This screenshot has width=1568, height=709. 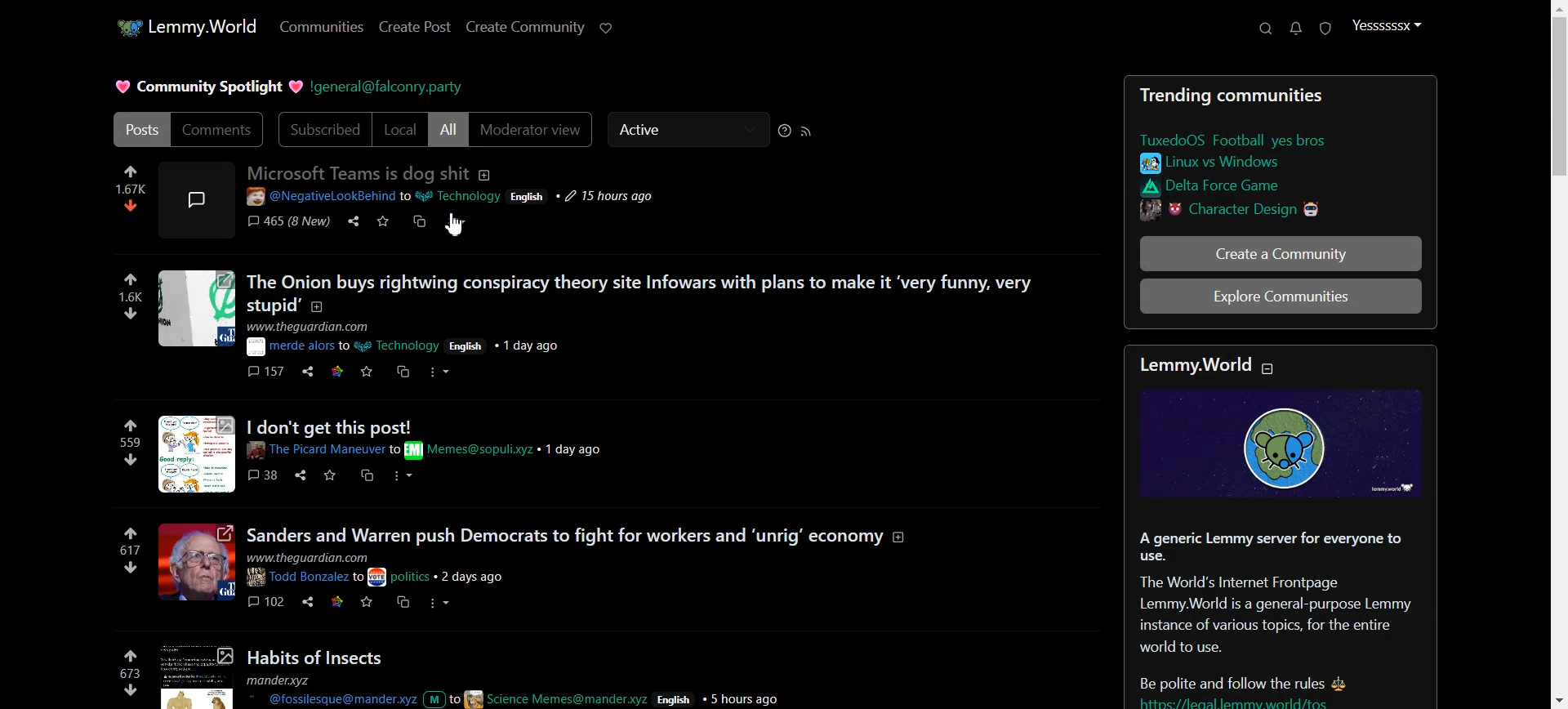 What do you see at coordinates (458, 223) in the screenshot?
I see `more` at bounding box center [458, 223].